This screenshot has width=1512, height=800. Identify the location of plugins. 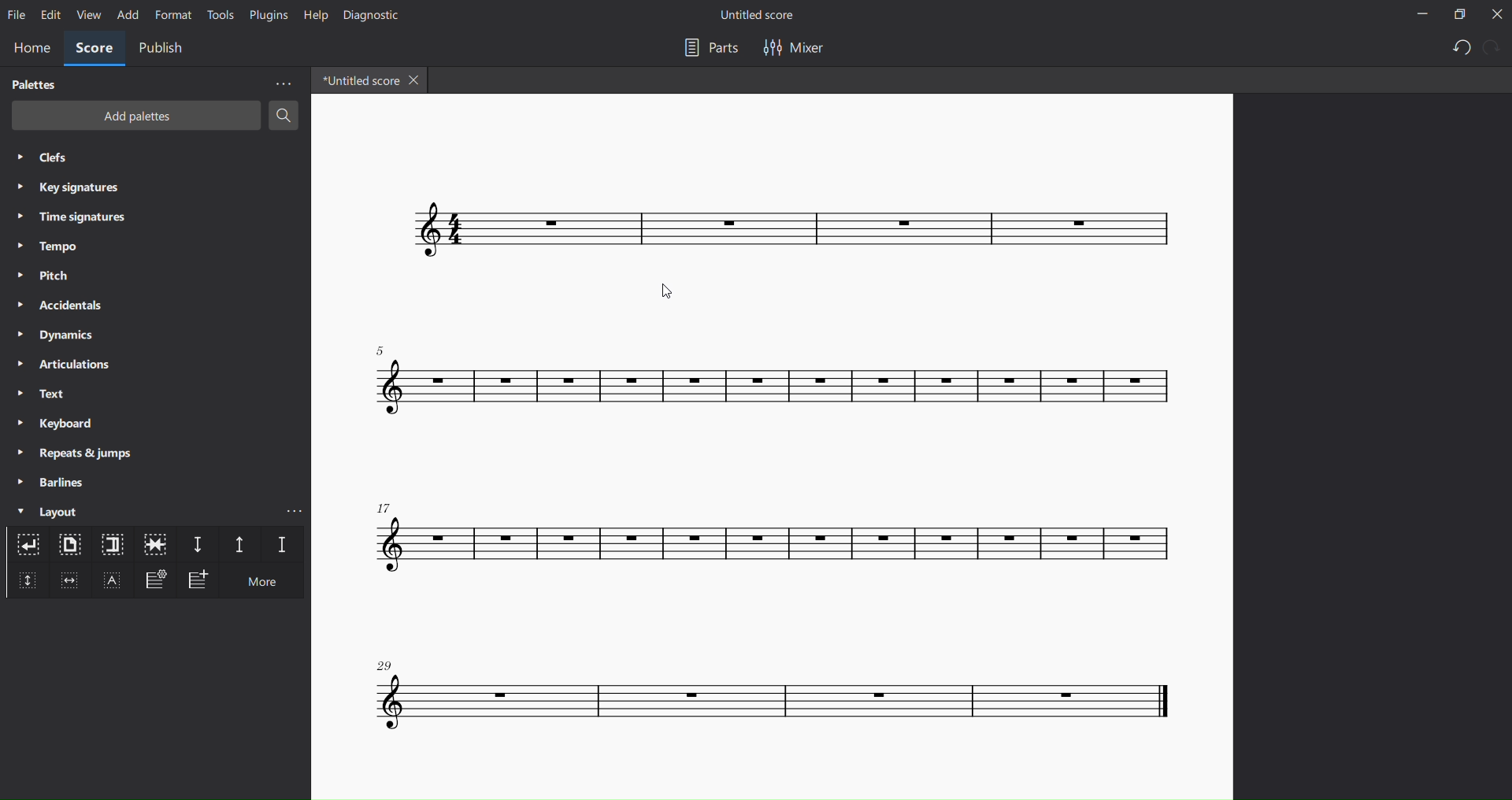
(265, 17).